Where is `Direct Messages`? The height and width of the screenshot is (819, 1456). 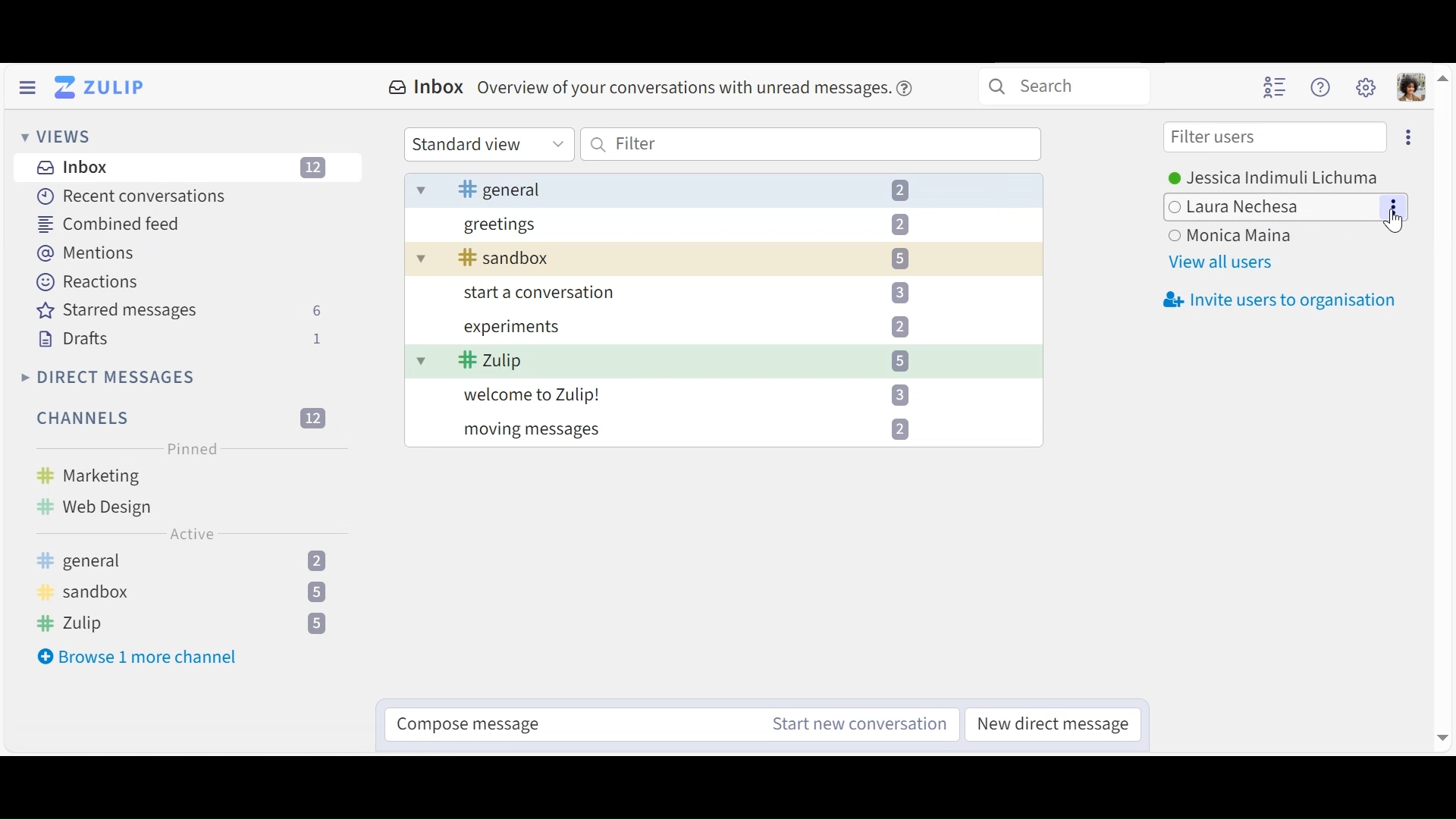 Direct Messages is located at coordinates (108, 377).